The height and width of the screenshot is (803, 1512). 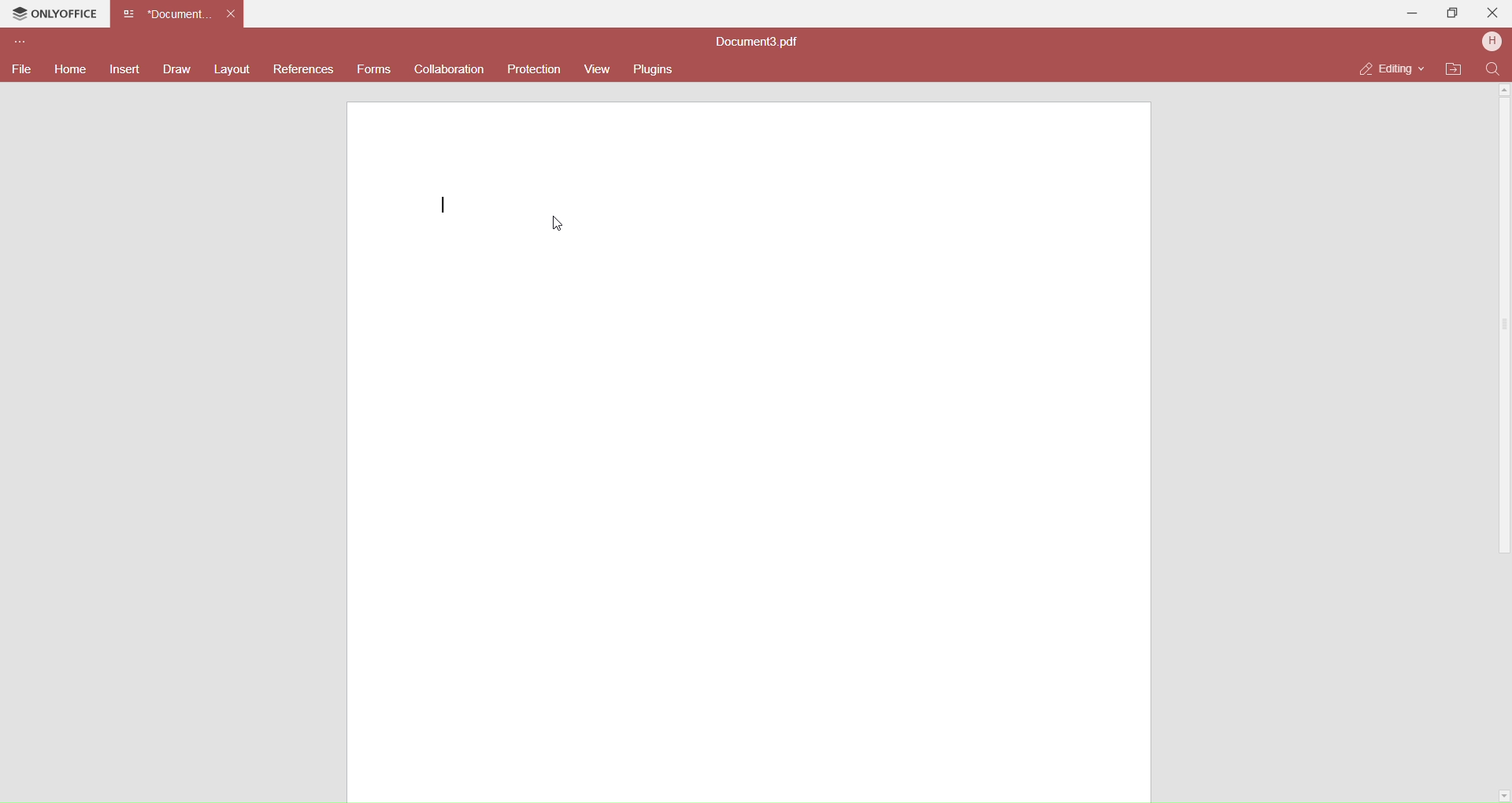 I want to click on View, so click(x=595, y=69).